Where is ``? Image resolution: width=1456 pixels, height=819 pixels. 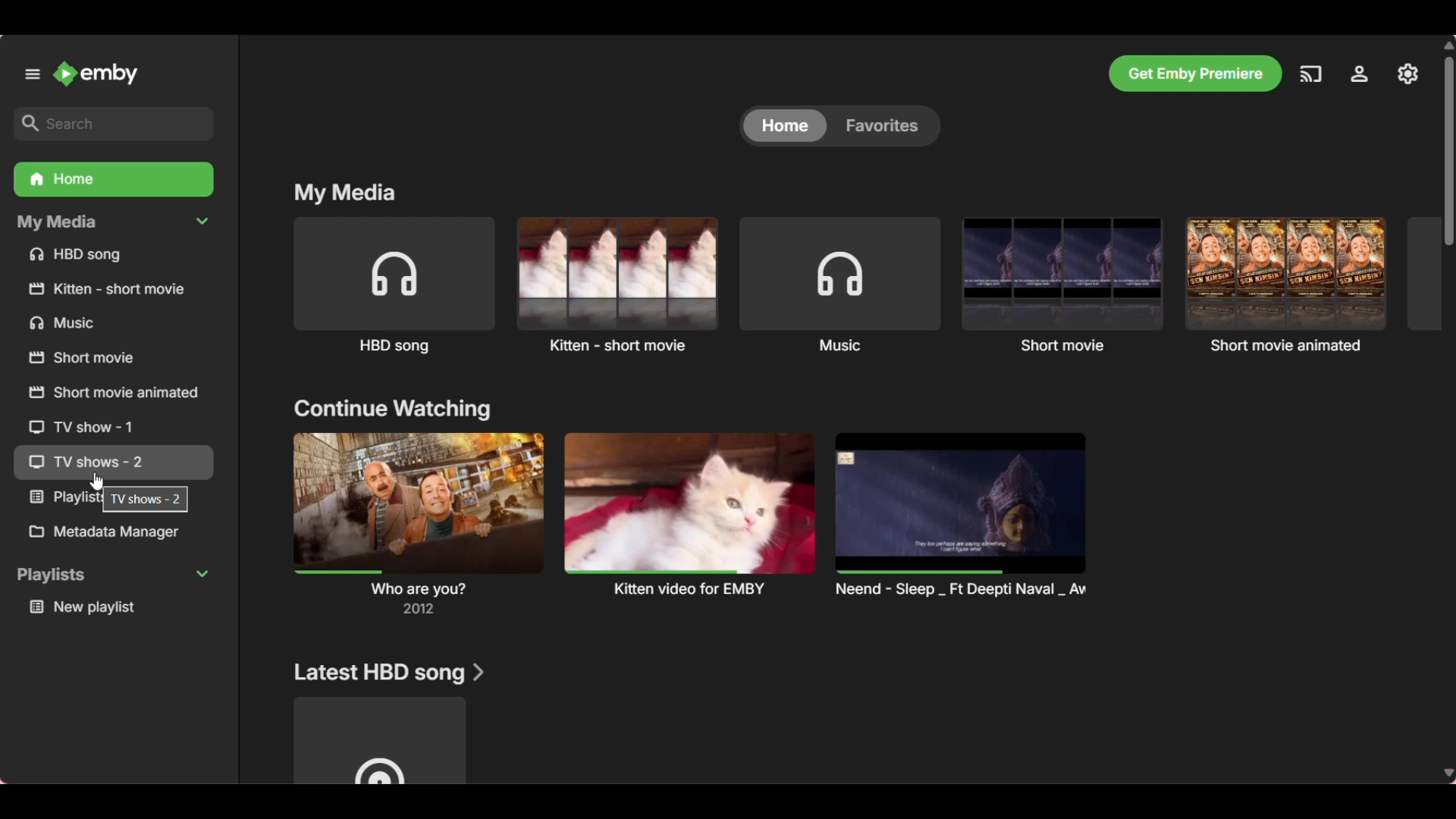
 is located at coordinates (103, 326).